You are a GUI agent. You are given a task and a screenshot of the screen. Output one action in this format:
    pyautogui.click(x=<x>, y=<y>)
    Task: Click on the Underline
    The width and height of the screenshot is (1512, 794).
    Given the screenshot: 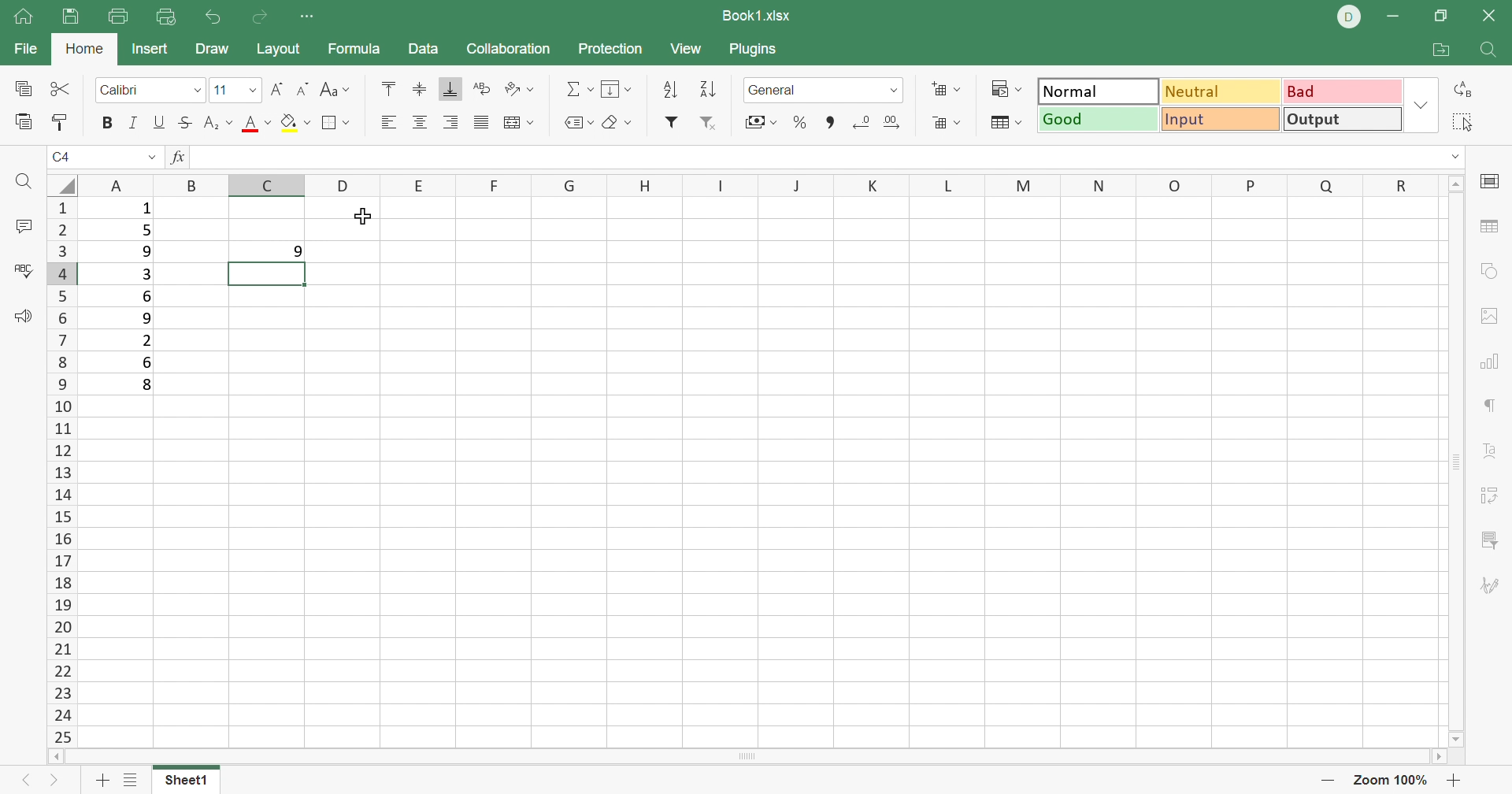 What is the action you would take?
    pyautogui.click(x=158, y=123)
    